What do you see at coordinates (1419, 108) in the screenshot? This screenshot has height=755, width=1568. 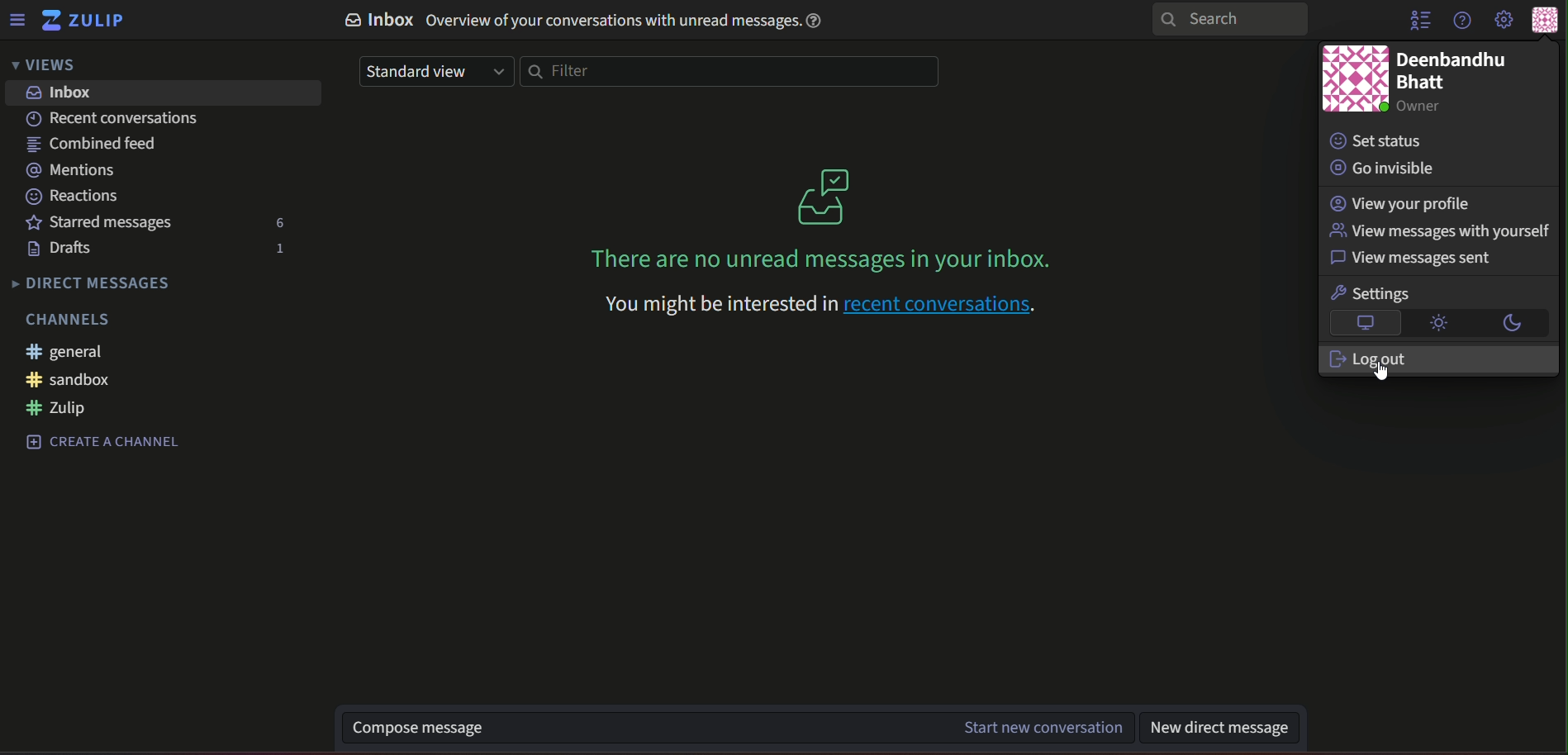 I see `text` at bounding box center [1419, 108].